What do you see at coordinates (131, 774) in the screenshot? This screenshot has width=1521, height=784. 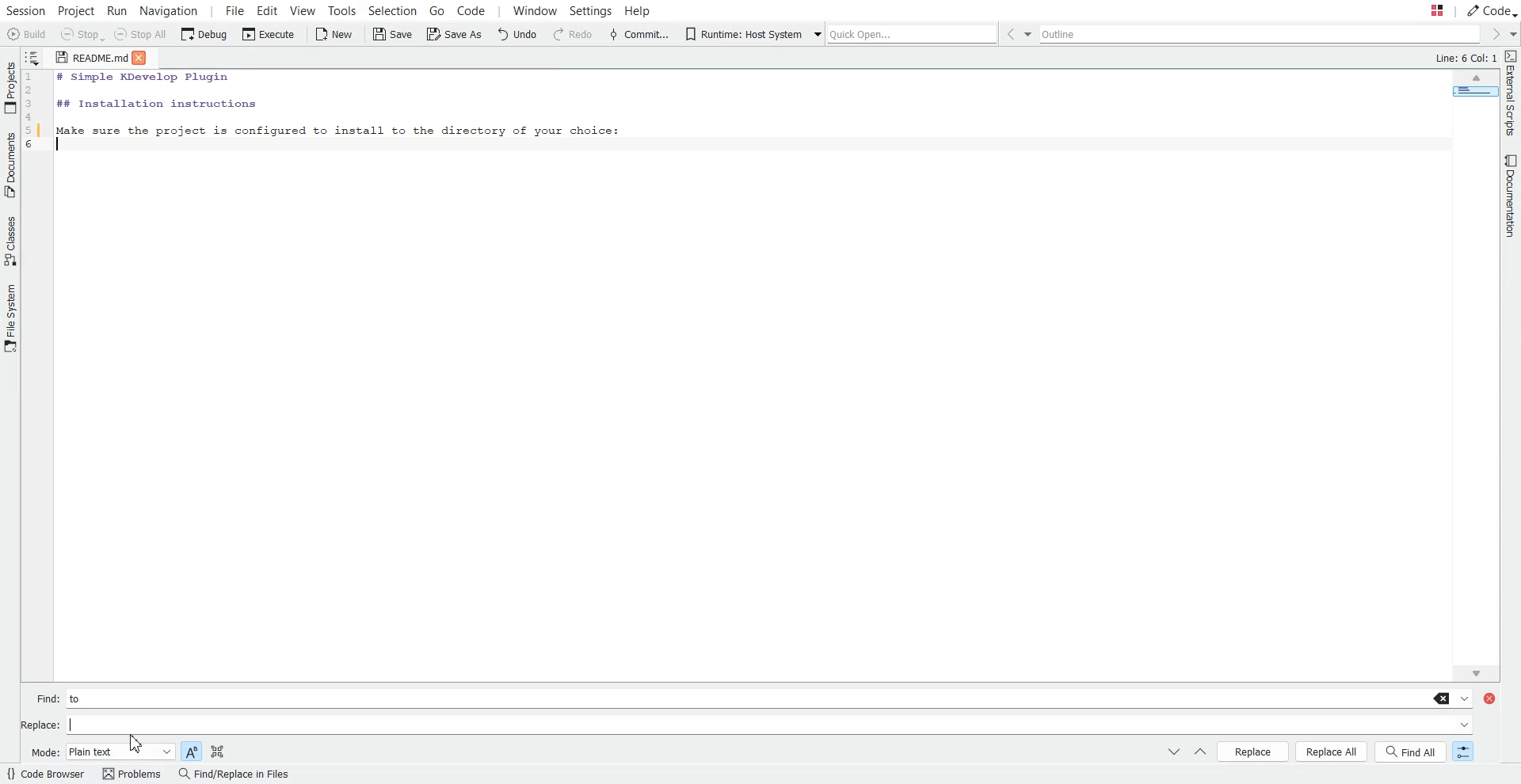 I see `Problems` at bounding box center [131, 774].